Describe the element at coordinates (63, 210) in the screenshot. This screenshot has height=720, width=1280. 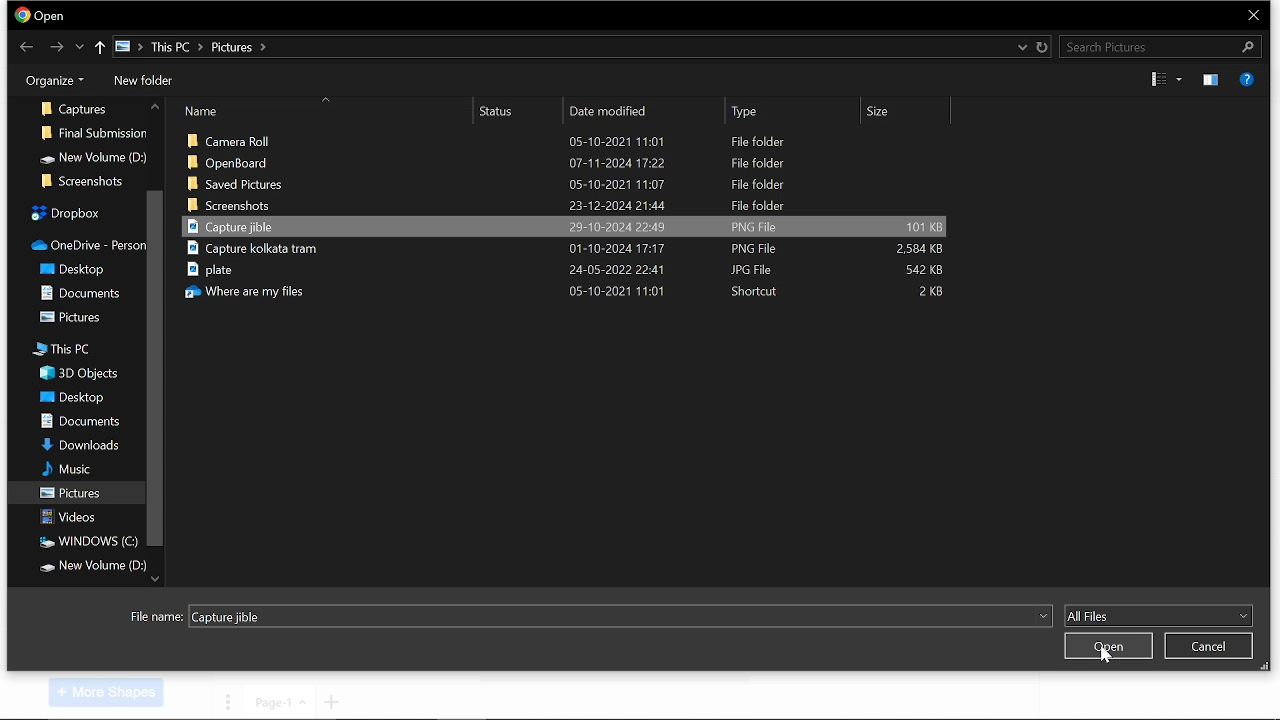
I see `folders` at that location.